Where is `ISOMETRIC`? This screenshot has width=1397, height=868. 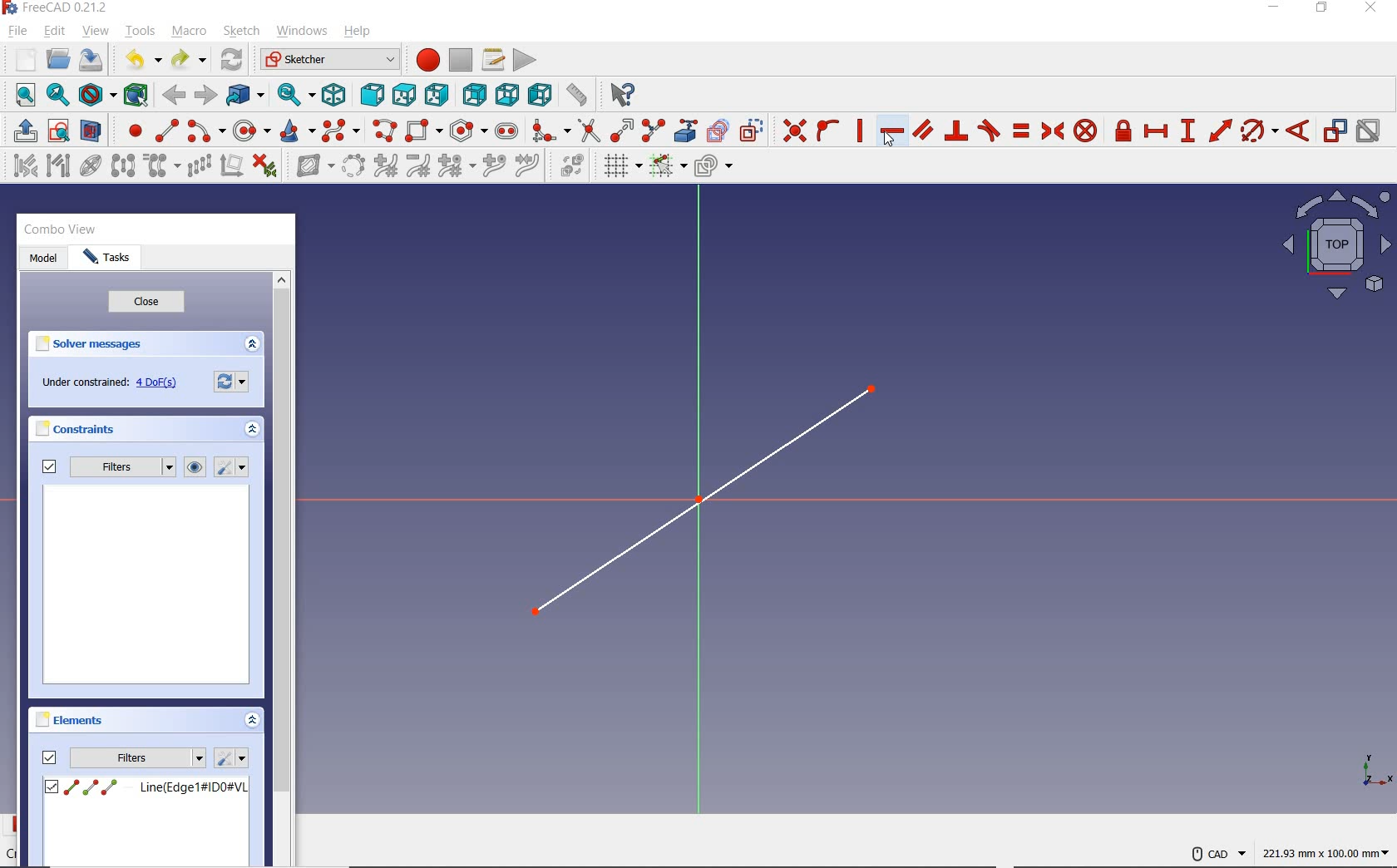 ISOMETRIC is located at coordinates (336, 93).